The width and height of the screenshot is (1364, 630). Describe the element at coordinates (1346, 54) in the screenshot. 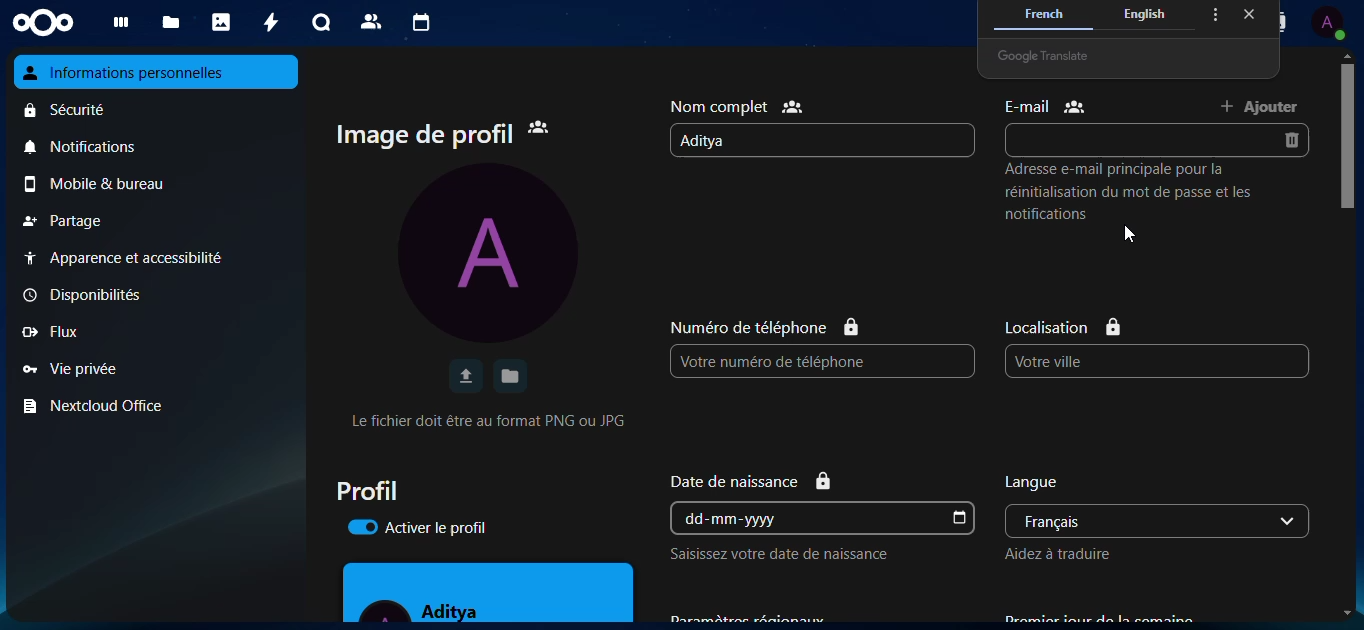

I see `scroll up` at that location.